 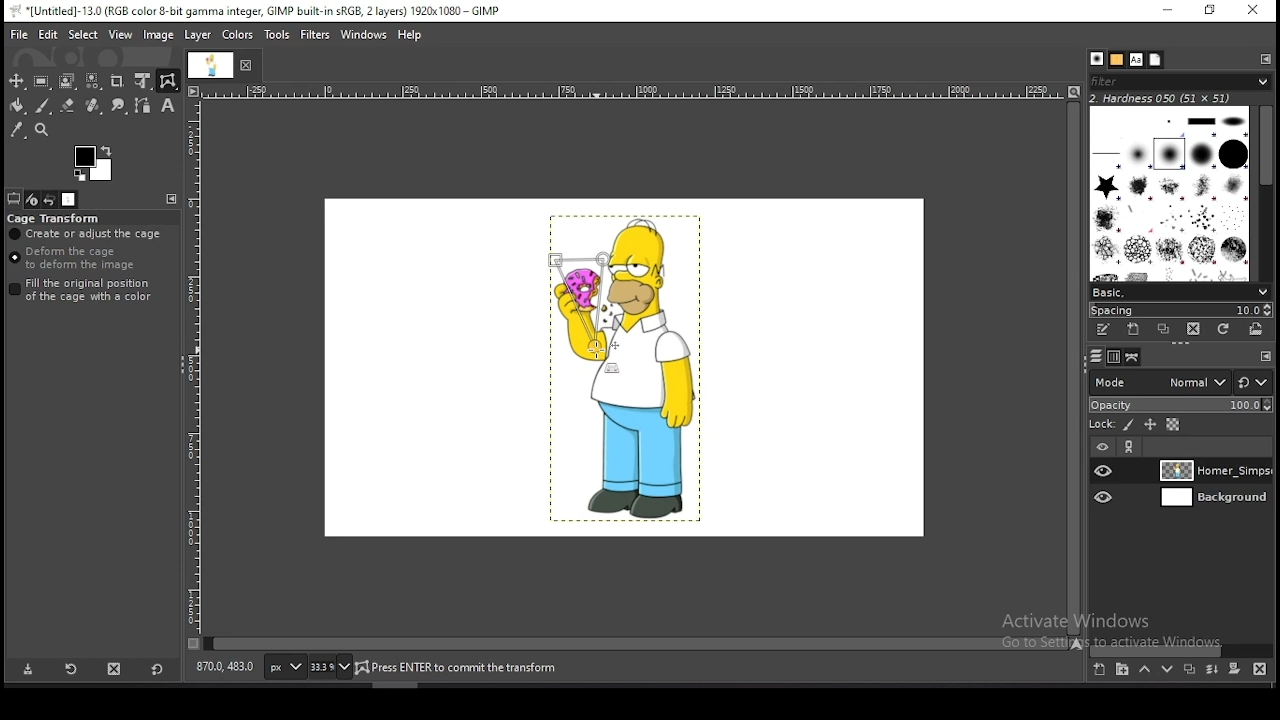 What do you see at coordinates (634, 92) in the screenshot?
I see `scale` at bounding box center [634, 92].